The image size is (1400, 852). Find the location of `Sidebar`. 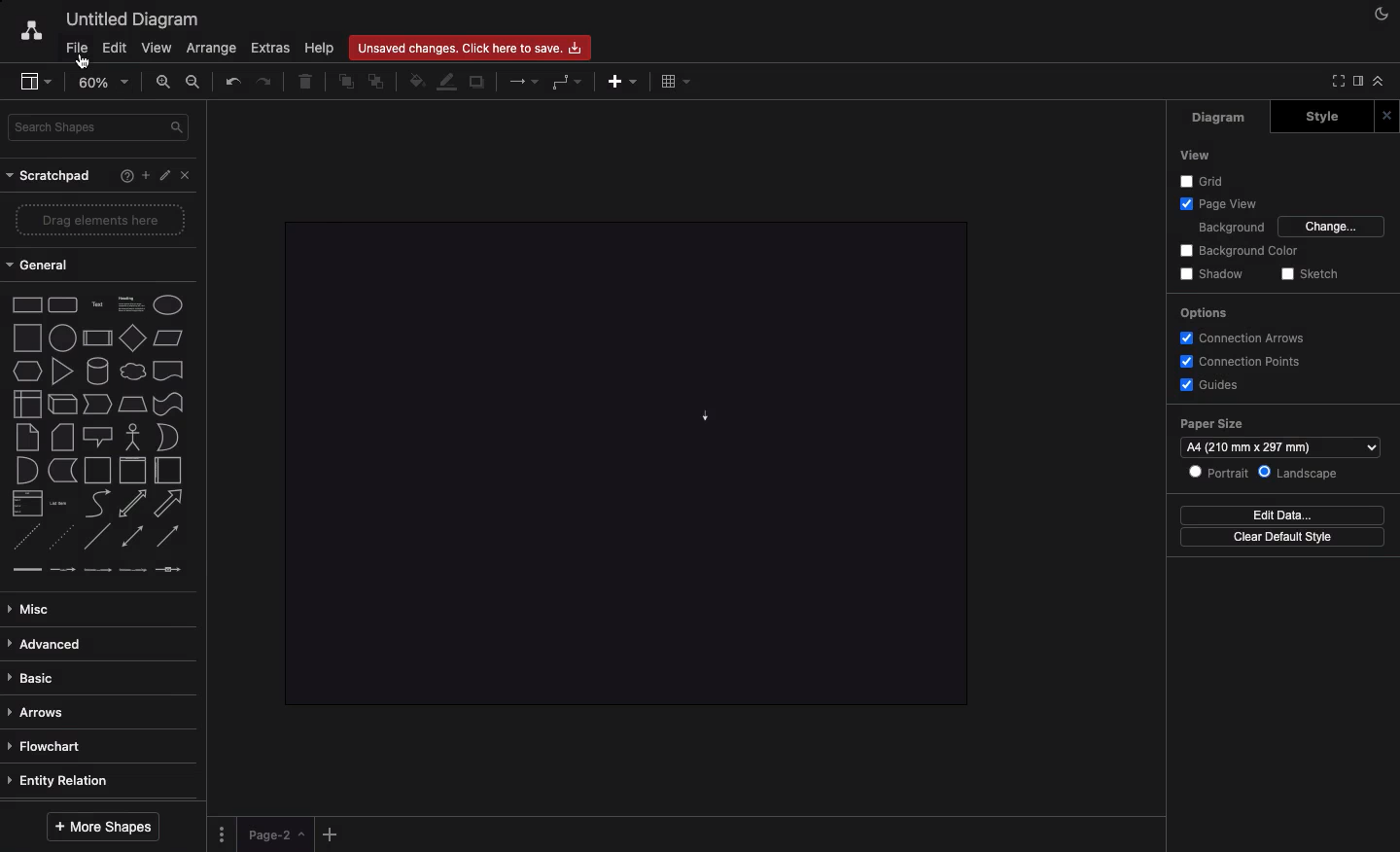

Sidebar is located at coordinates (1356, 83).